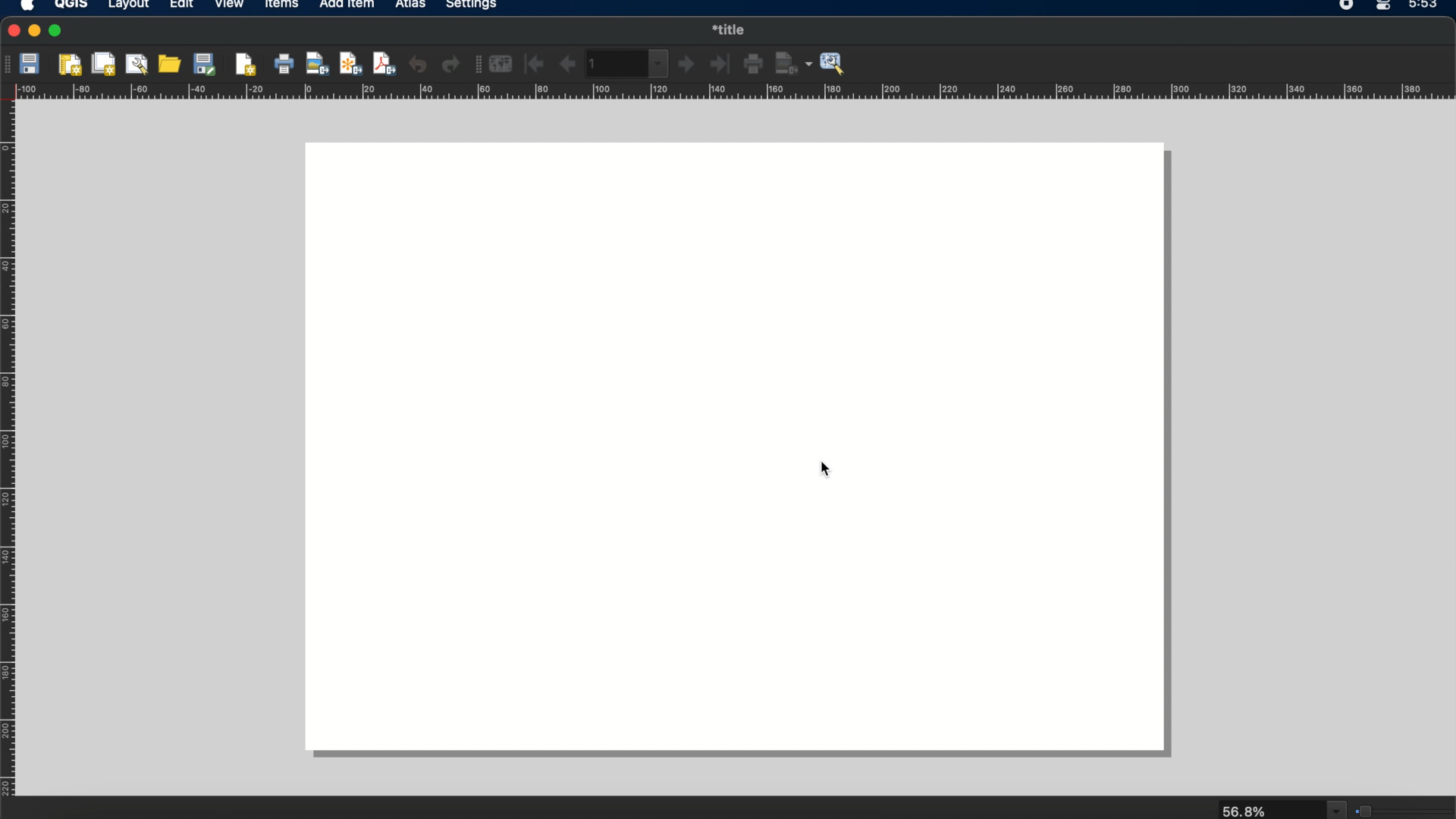 This screenshot has height=819, width=1456. What do you see at coordinates (384, 63) in the screenshot?
I see `export as pdf` at bounding box center [384, 63].